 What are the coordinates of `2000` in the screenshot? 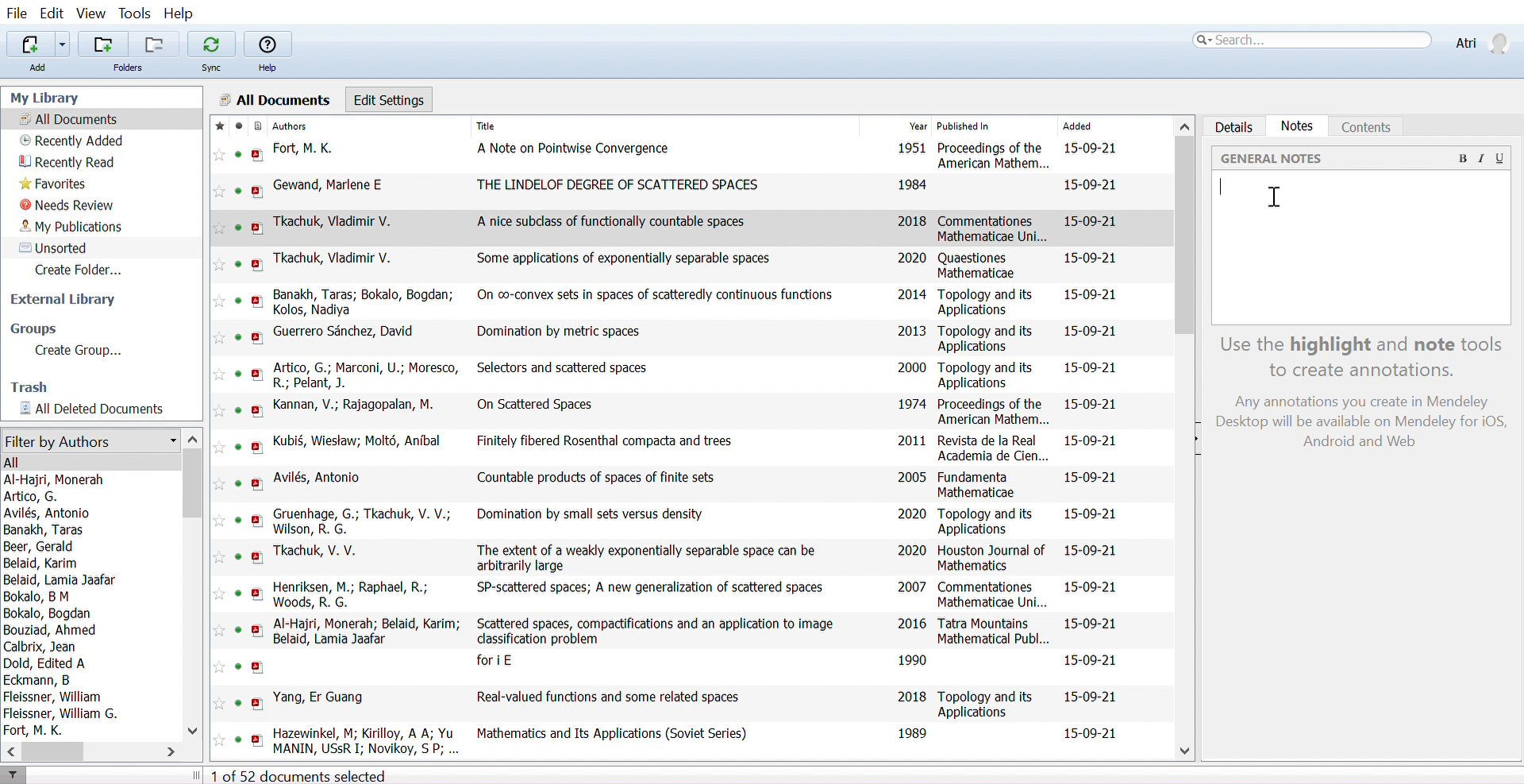 It's located at (912, 367).